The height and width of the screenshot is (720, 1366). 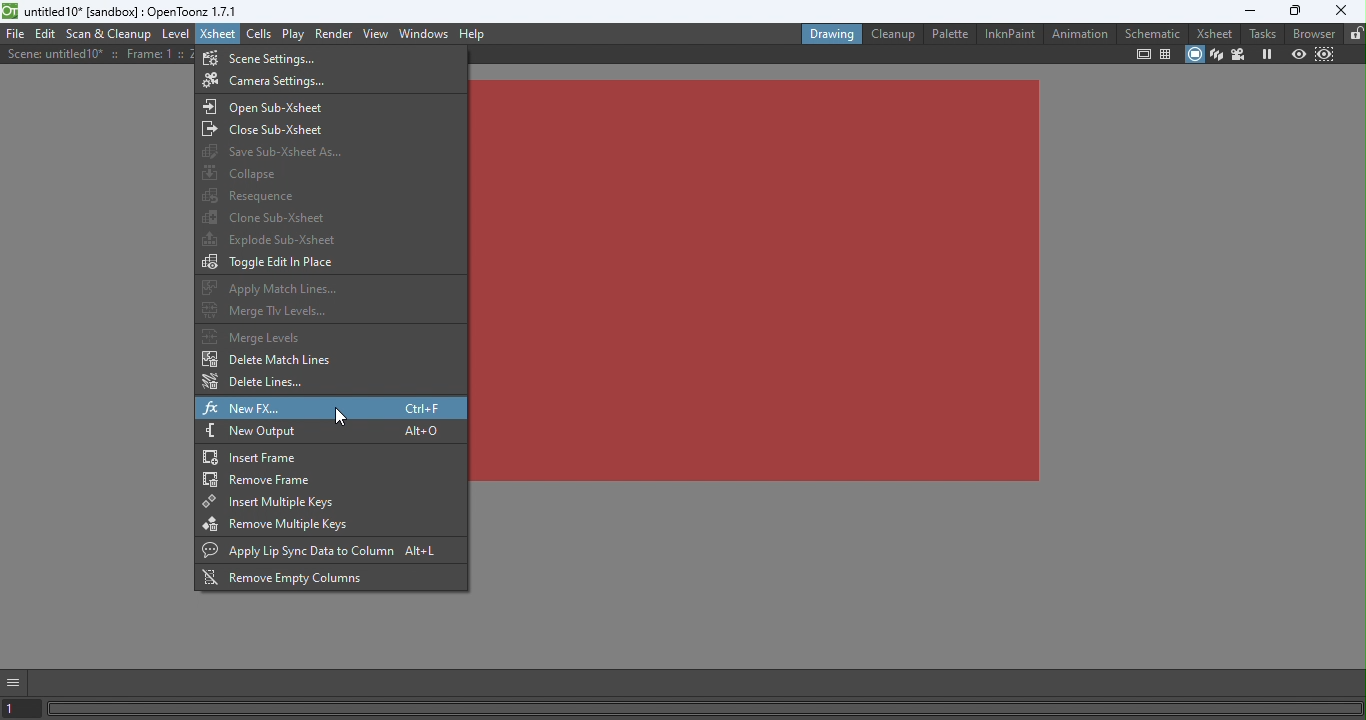 I want to click on Scan & Cleanup, so click(x=111, y=33).